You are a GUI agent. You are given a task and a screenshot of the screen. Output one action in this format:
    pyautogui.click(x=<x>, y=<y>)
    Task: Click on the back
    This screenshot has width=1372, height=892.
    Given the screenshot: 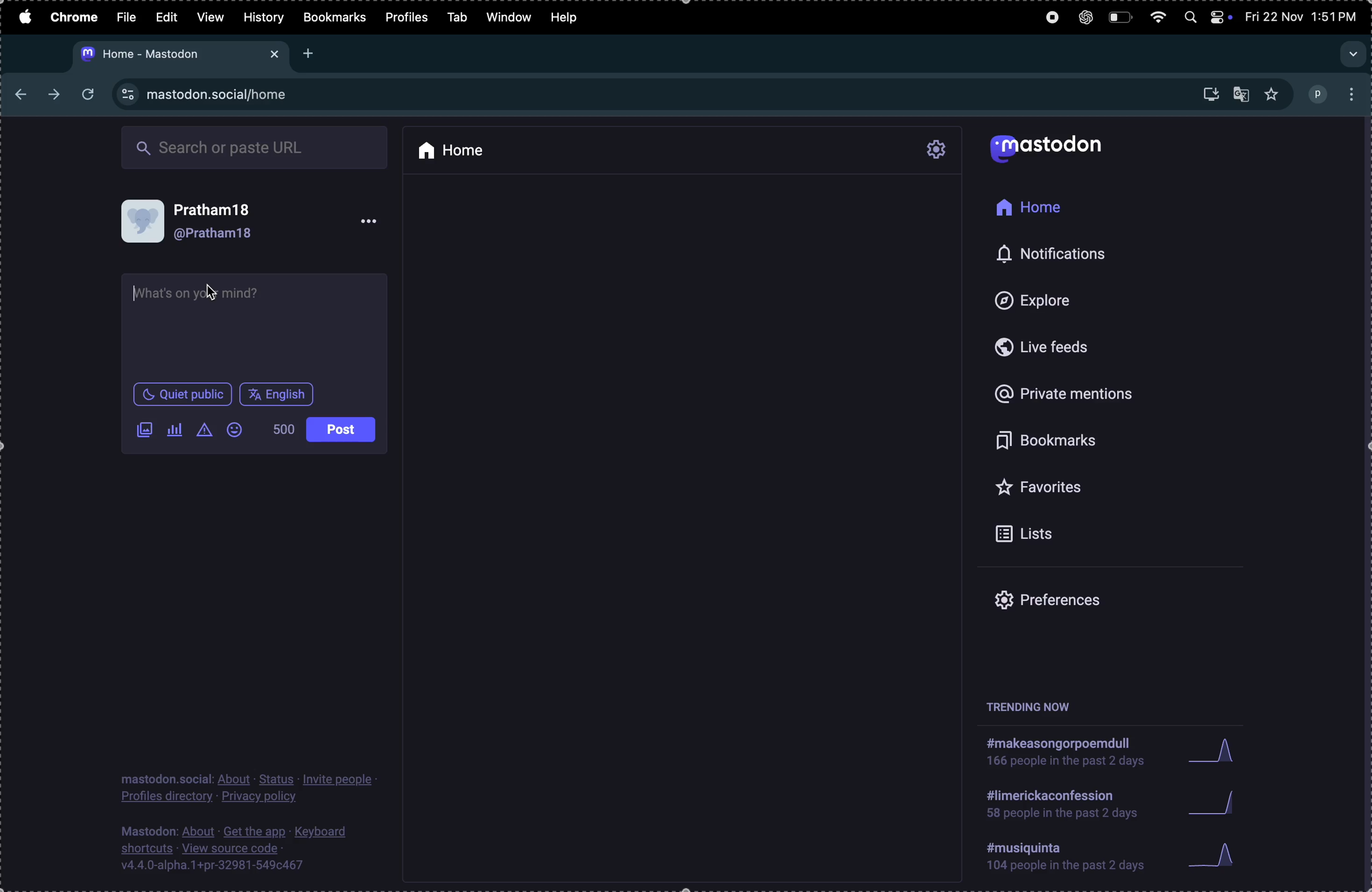 What is the action you would take?
    pyautogui.click(x=23, y=94)
    